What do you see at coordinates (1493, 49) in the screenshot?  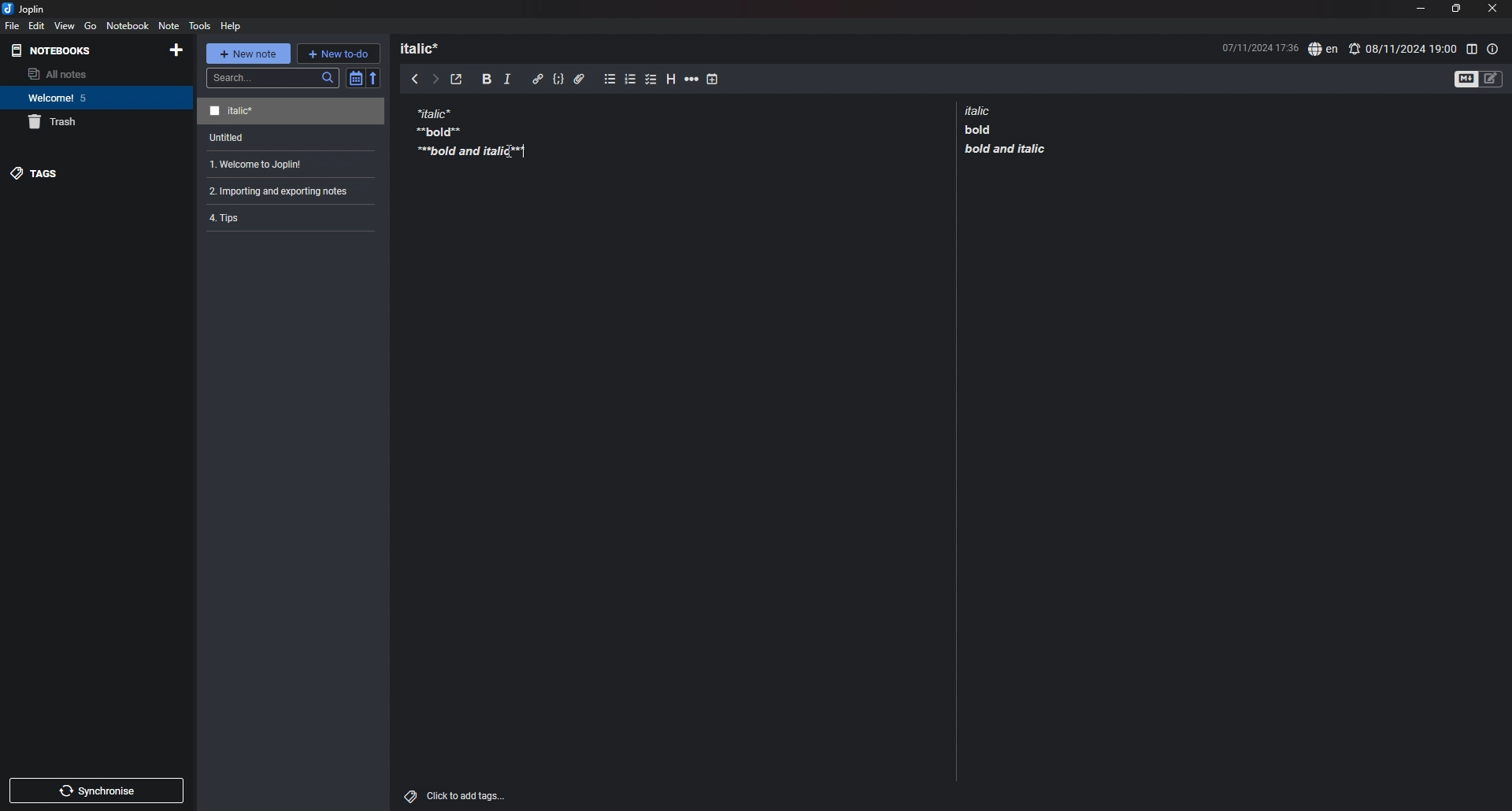 I see `note properties` at bounding box center [1493, 49].